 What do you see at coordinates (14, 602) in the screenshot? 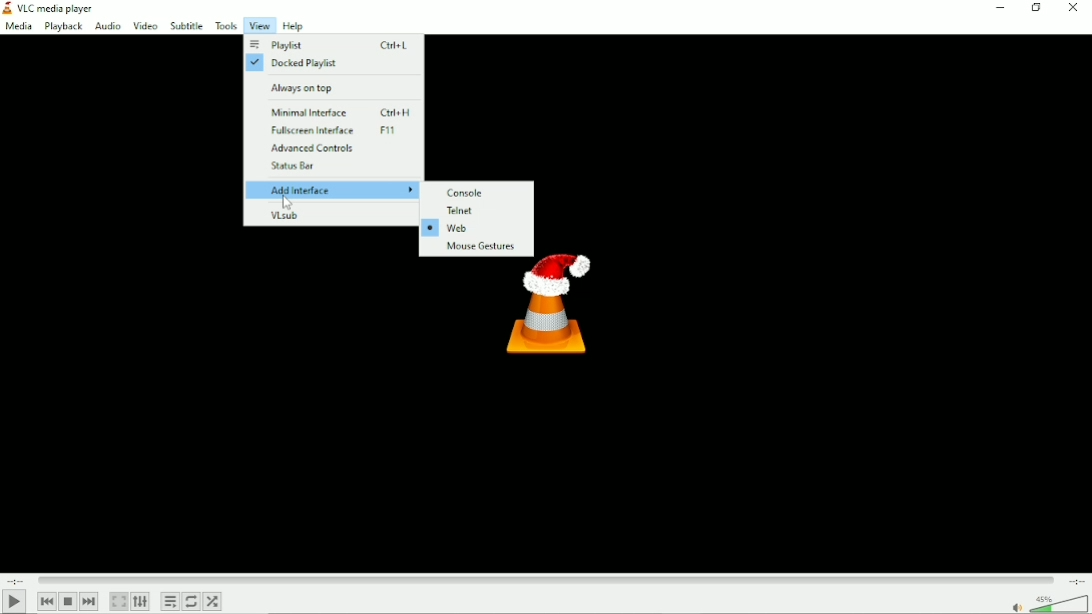
I see `Play` at bounding box center [14, 602].